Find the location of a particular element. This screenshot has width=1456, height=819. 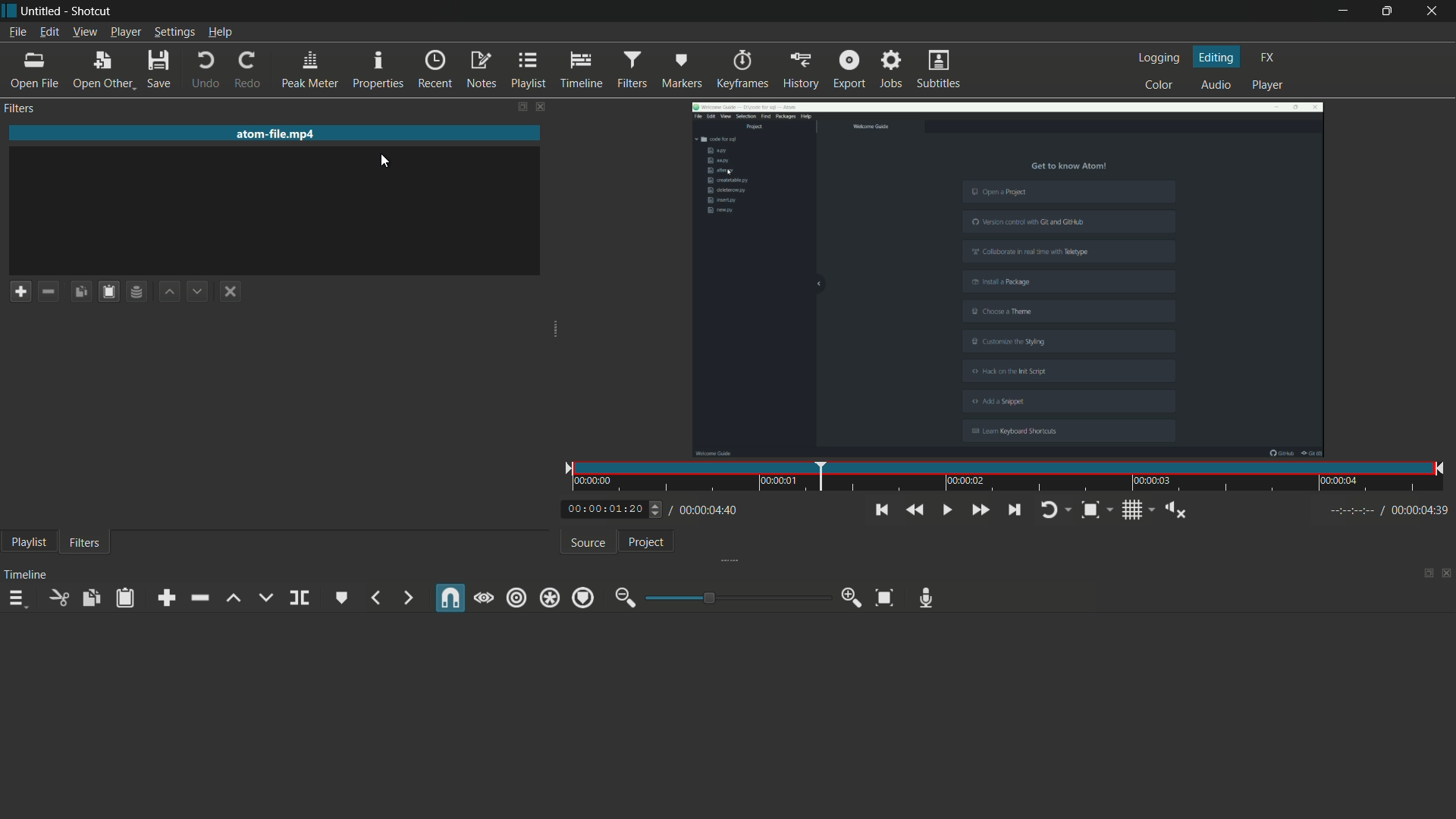

show volume control is located at coordinates (1178, 510).